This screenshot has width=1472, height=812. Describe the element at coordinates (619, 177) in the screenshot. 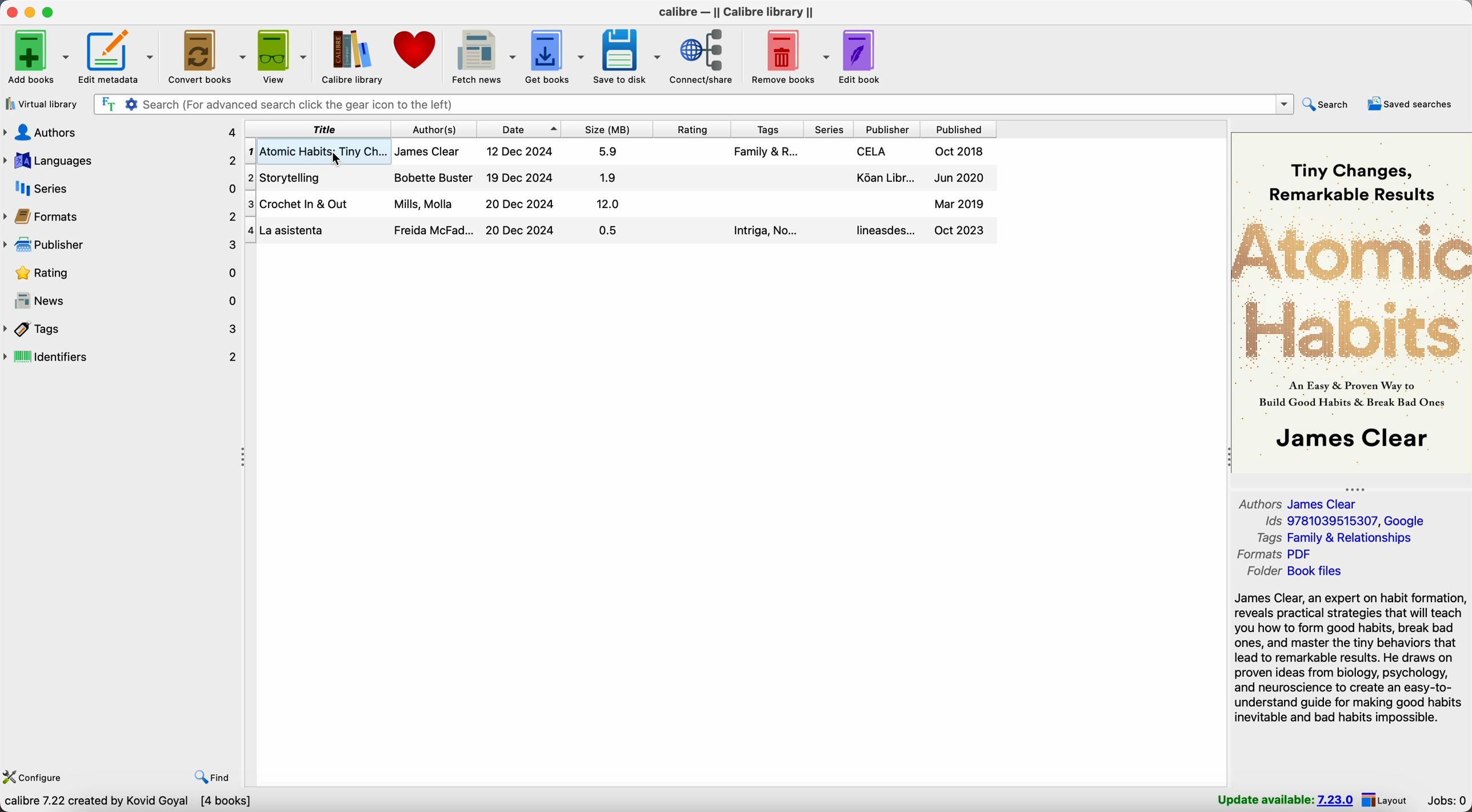

I see `storytelling book details` at that location.